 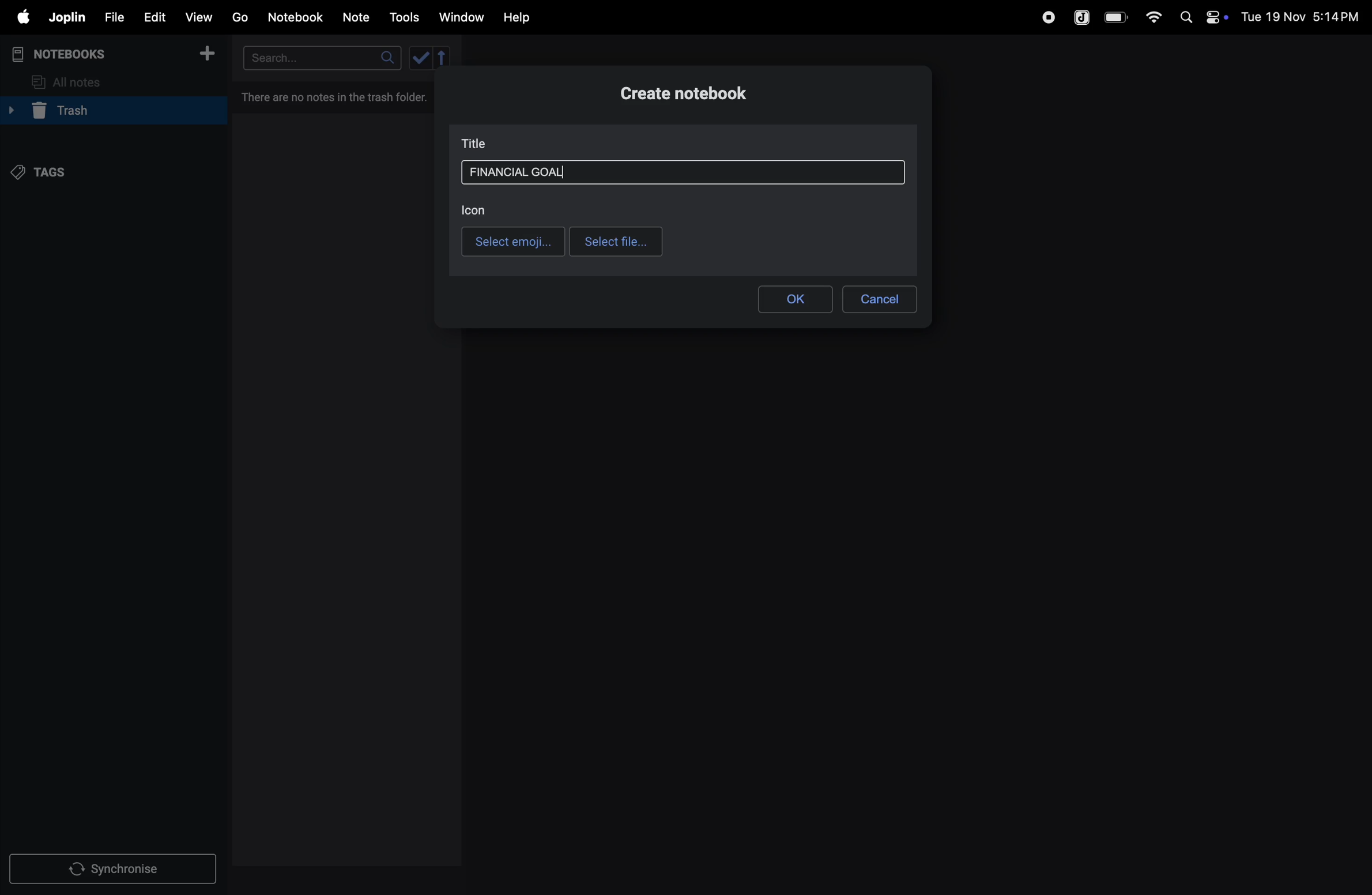 I want to click on search, so click(x=323, y=57).